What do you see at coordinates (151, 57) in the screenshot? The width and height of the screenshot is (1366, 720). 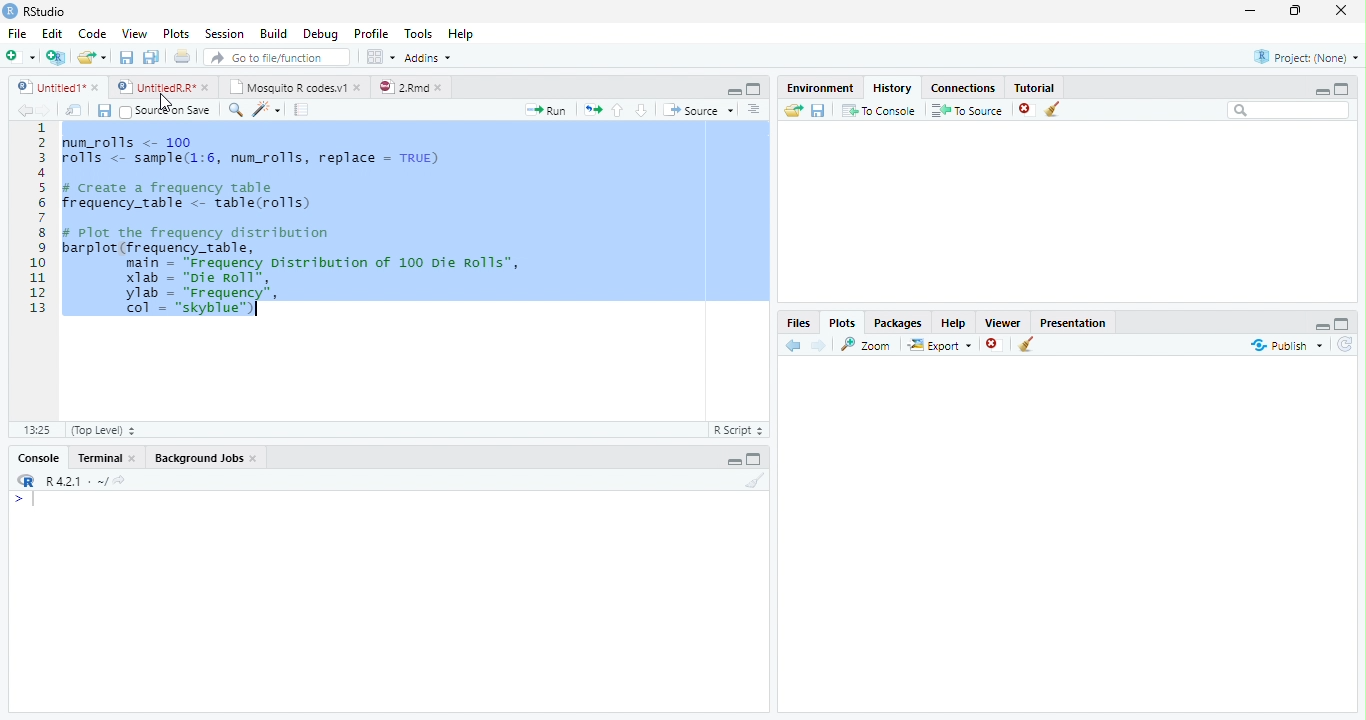 I see `Save all open files` at bounding box center [151, 57].